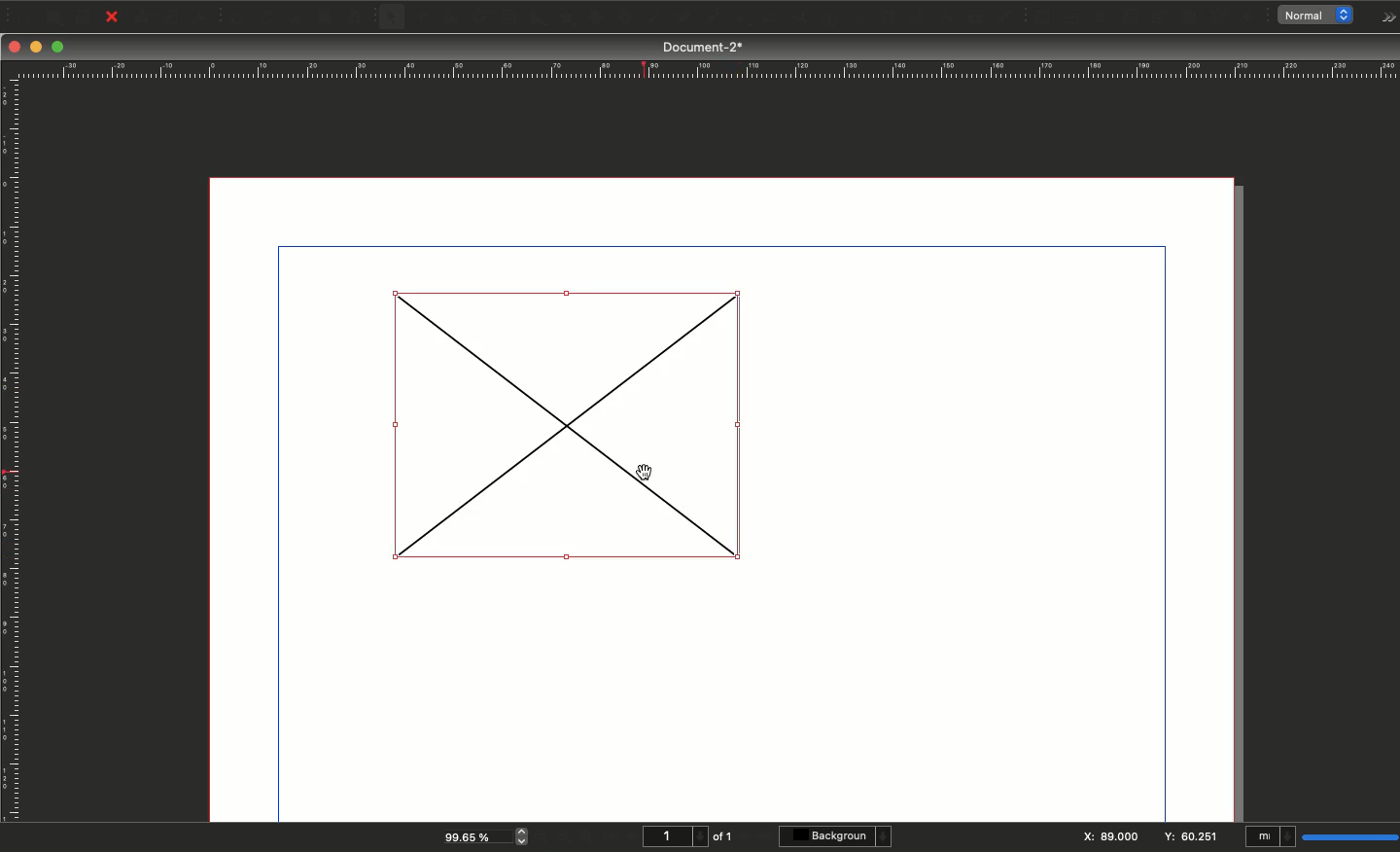 This screenshot has width=1400, height=852. I want to click on Text annotation, so click(1220, 18).